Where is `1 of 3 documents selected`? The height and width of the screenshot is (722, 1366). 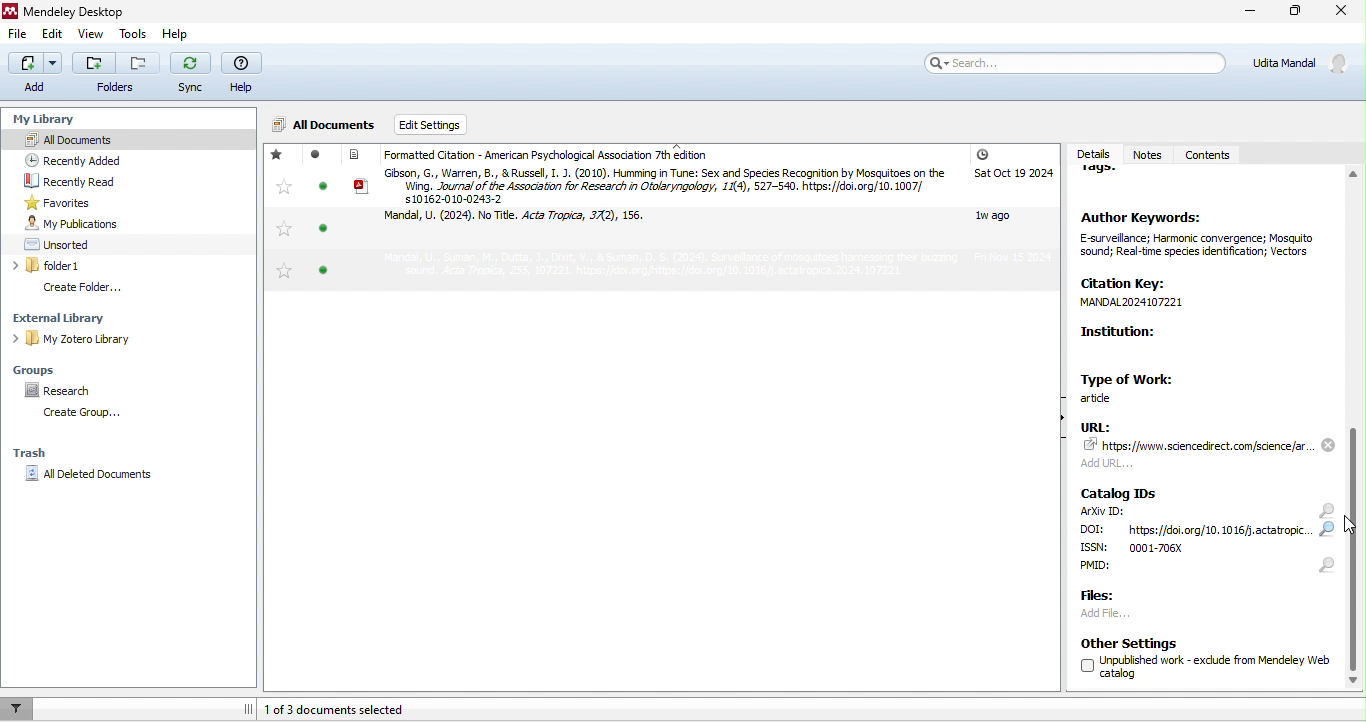 1 of 3 documents selected is located at coordinates (360, 708).